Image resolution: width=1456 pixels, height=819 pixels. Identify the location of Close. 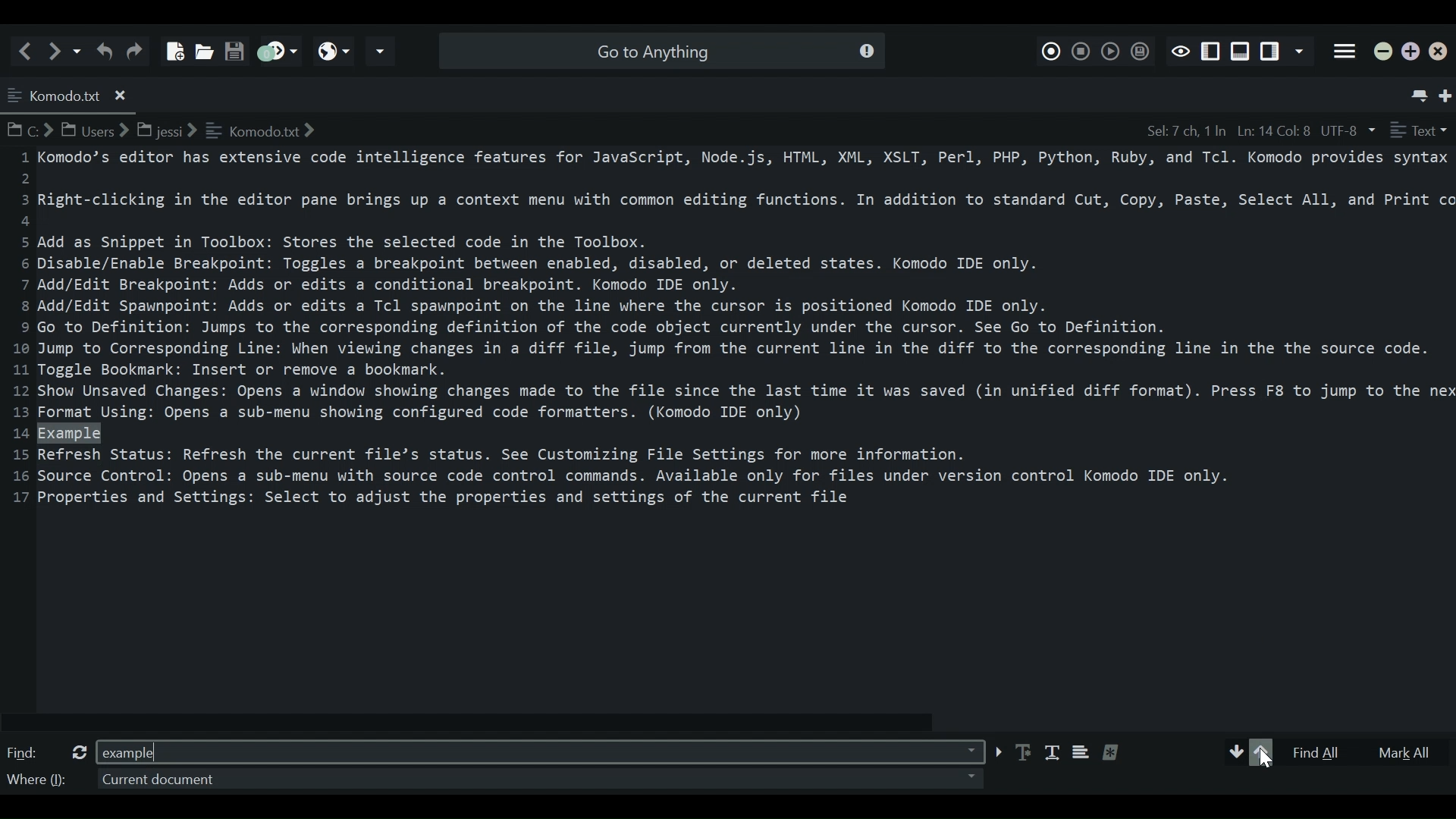
(1442, 54).